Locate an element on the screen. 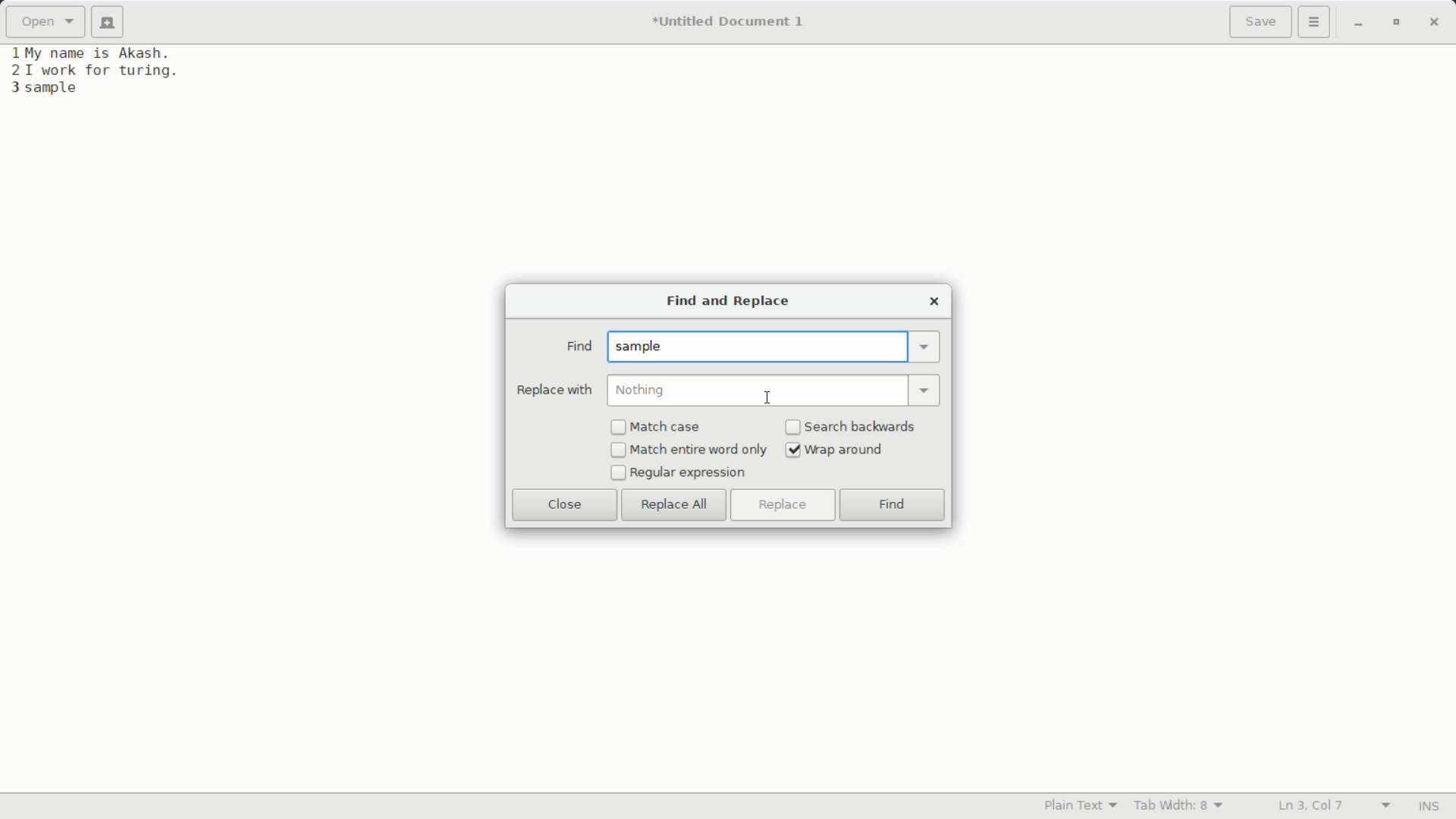 The image size is (1456, 819). find is located at coordinates (578, 347).